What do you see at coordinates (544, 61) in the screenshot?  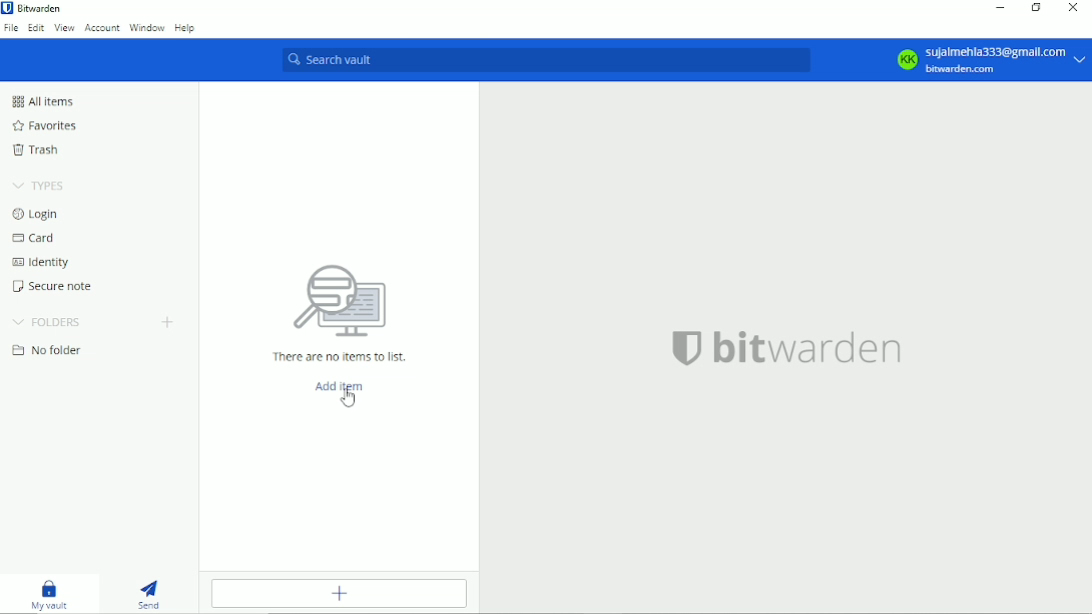 I see `Search vault` at bounding box center [544, 61].